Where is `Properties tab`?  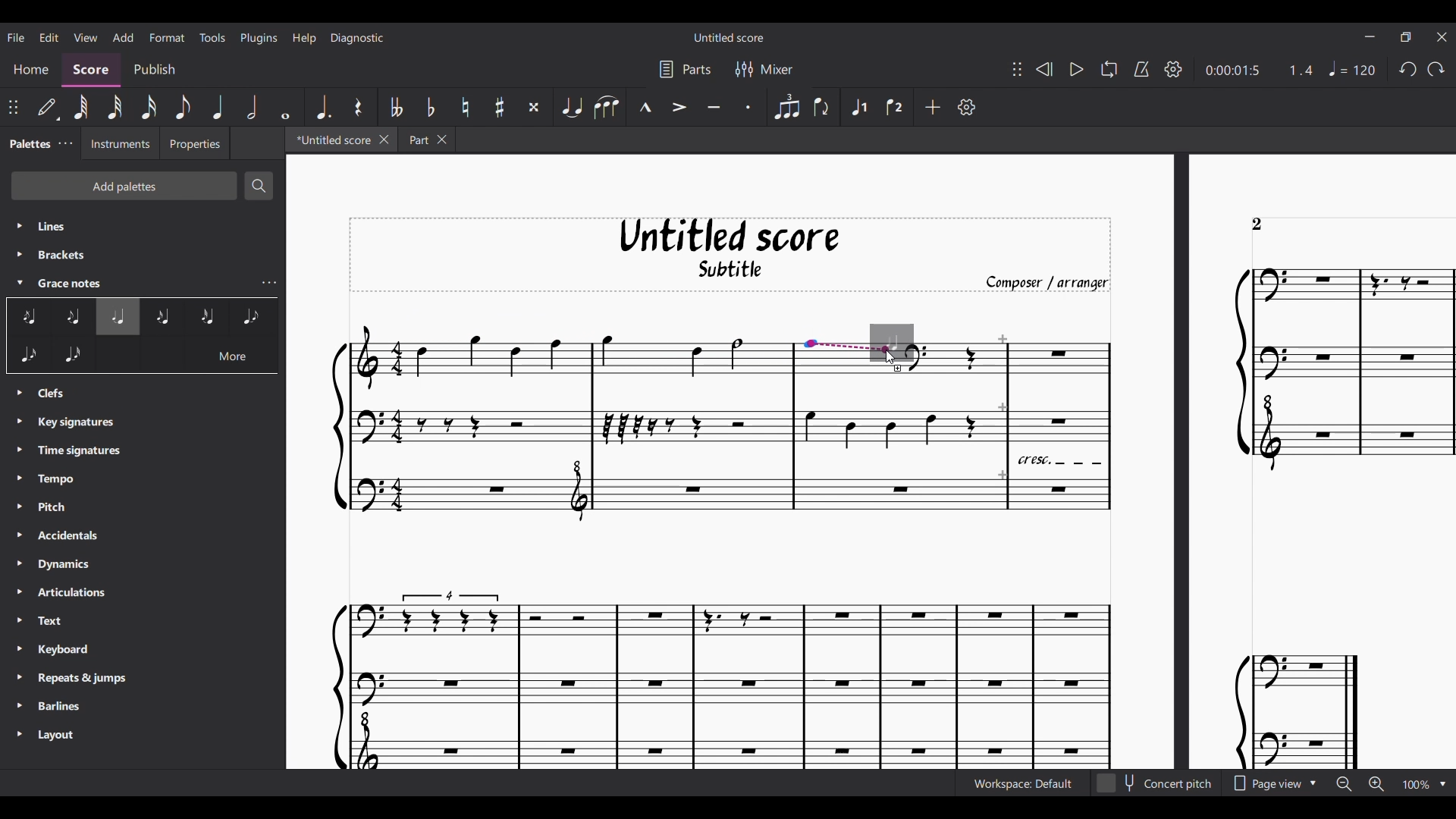 Properties tab is located at coordinates (194, 143).